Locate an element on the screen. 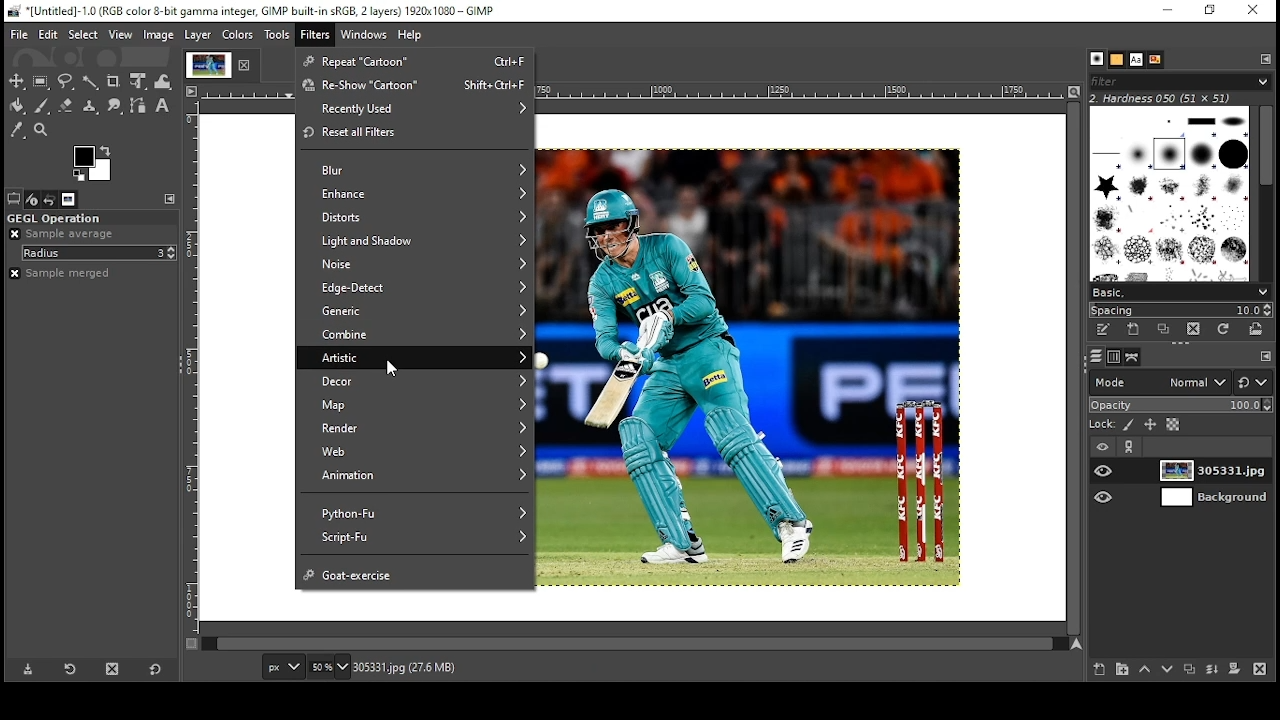 The image size is (1280, 720). configure this tab is located at coordinates (1264, 358).